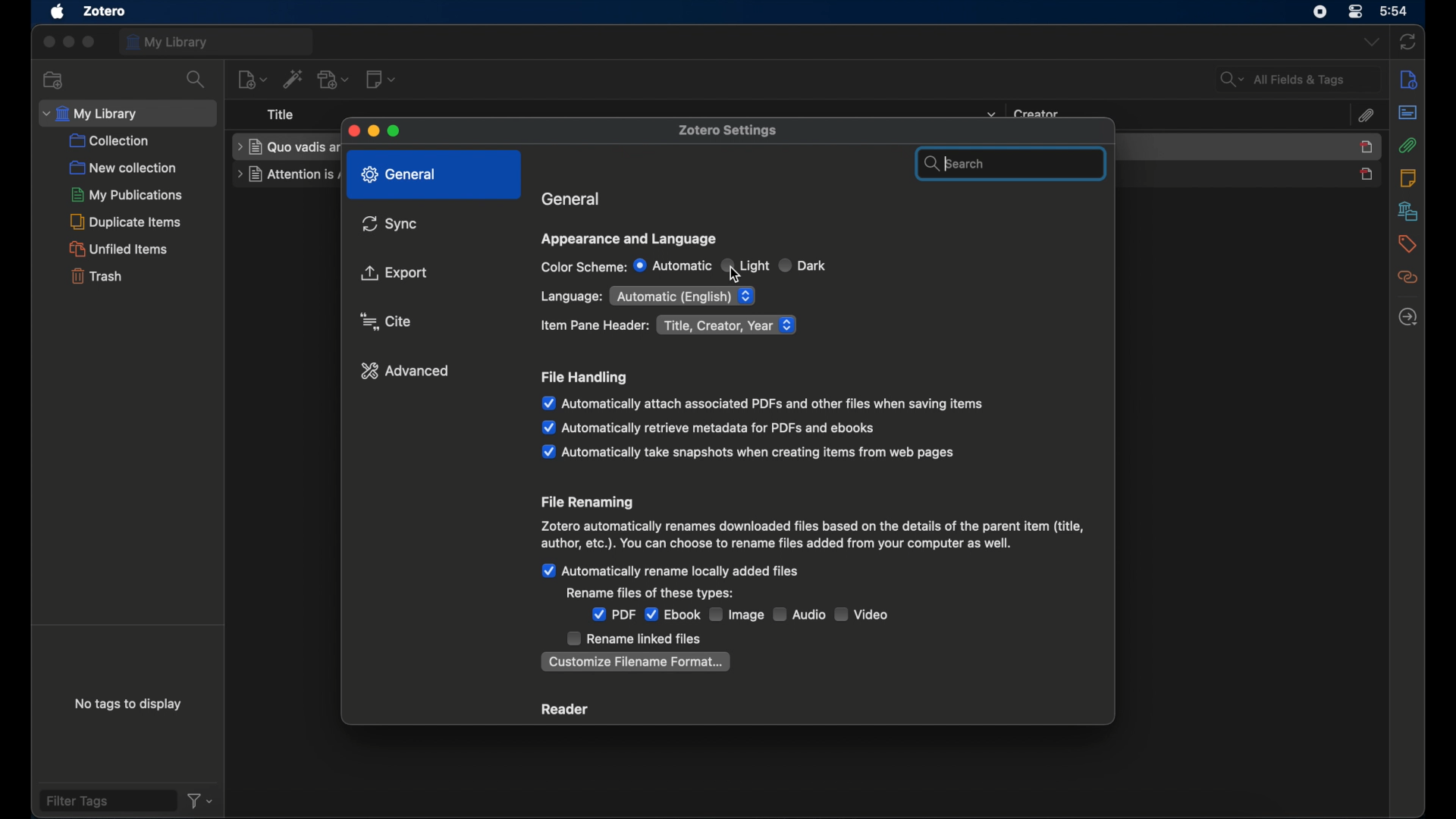 The height and width of the screenshot is (819, 1456). What do you see at coordinates (1408, 80) in the screenshot?
I see `info` at bounding box center [1408, 80].